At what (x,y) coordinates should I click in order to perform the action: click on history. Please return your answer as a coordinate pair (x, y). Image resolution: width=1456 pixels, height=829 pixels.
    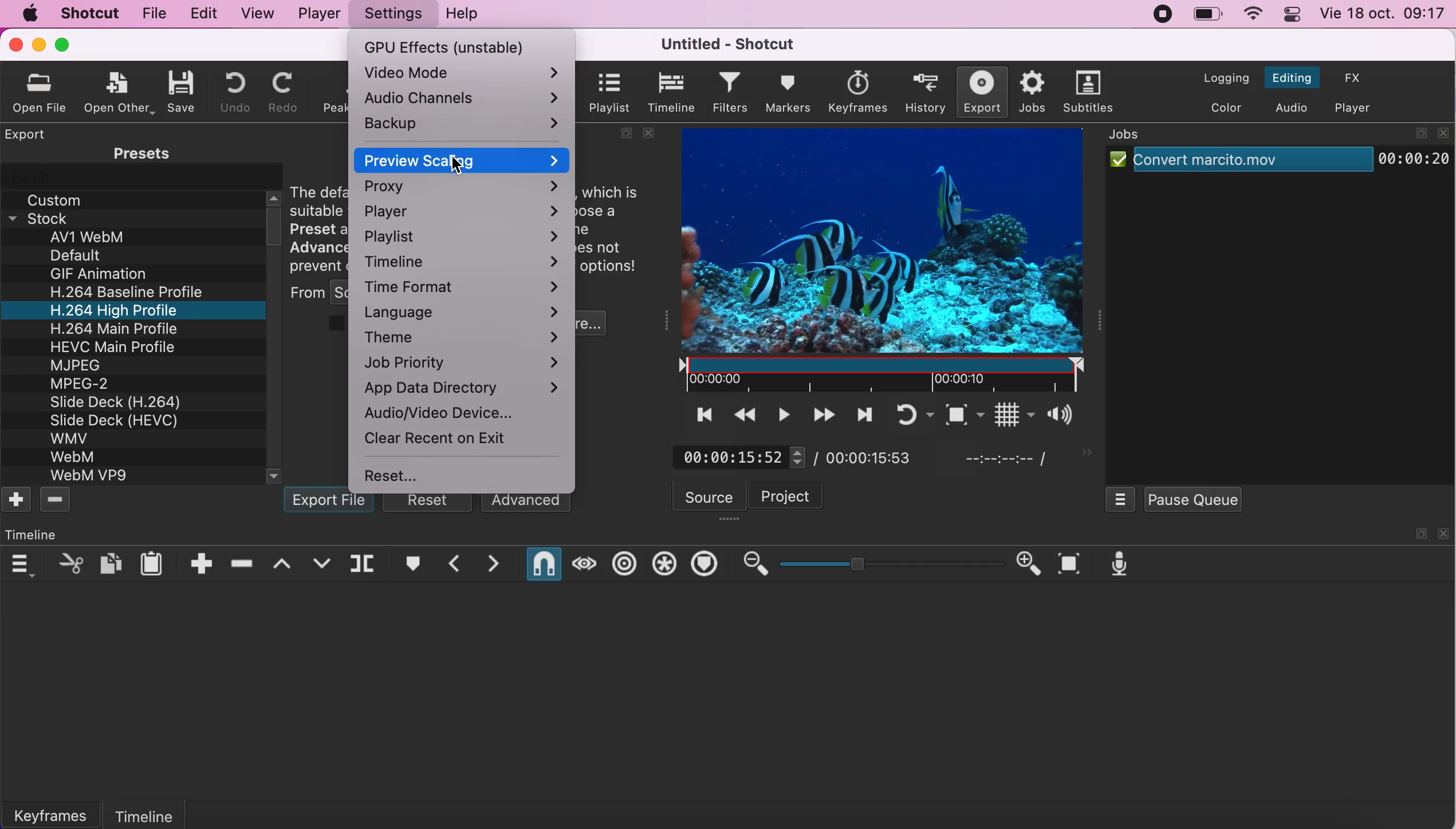
    Looking at the image, I should click on (920, 93).